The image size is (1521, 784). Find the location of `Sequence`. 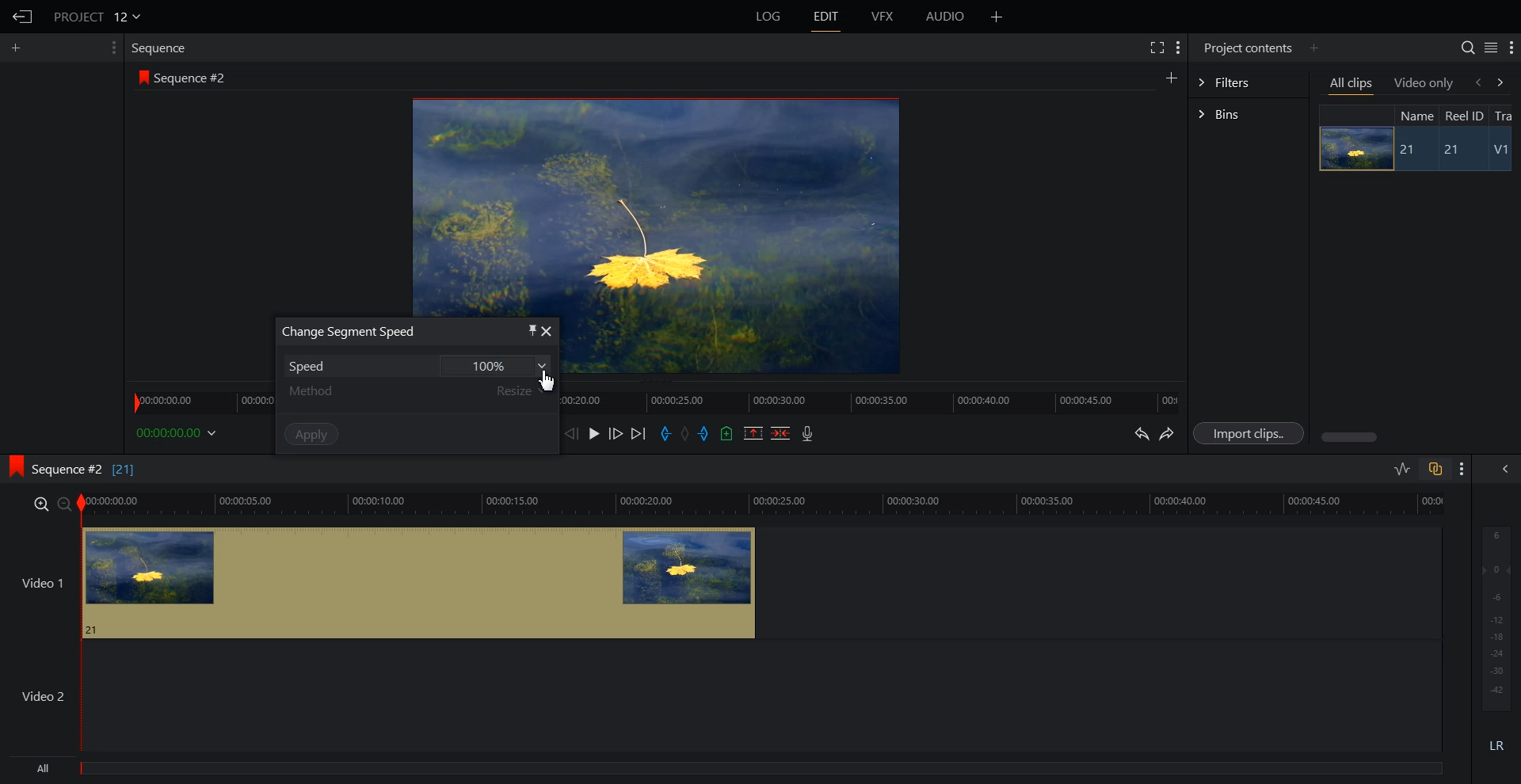

Sequence is located at coordinates (162, 48).